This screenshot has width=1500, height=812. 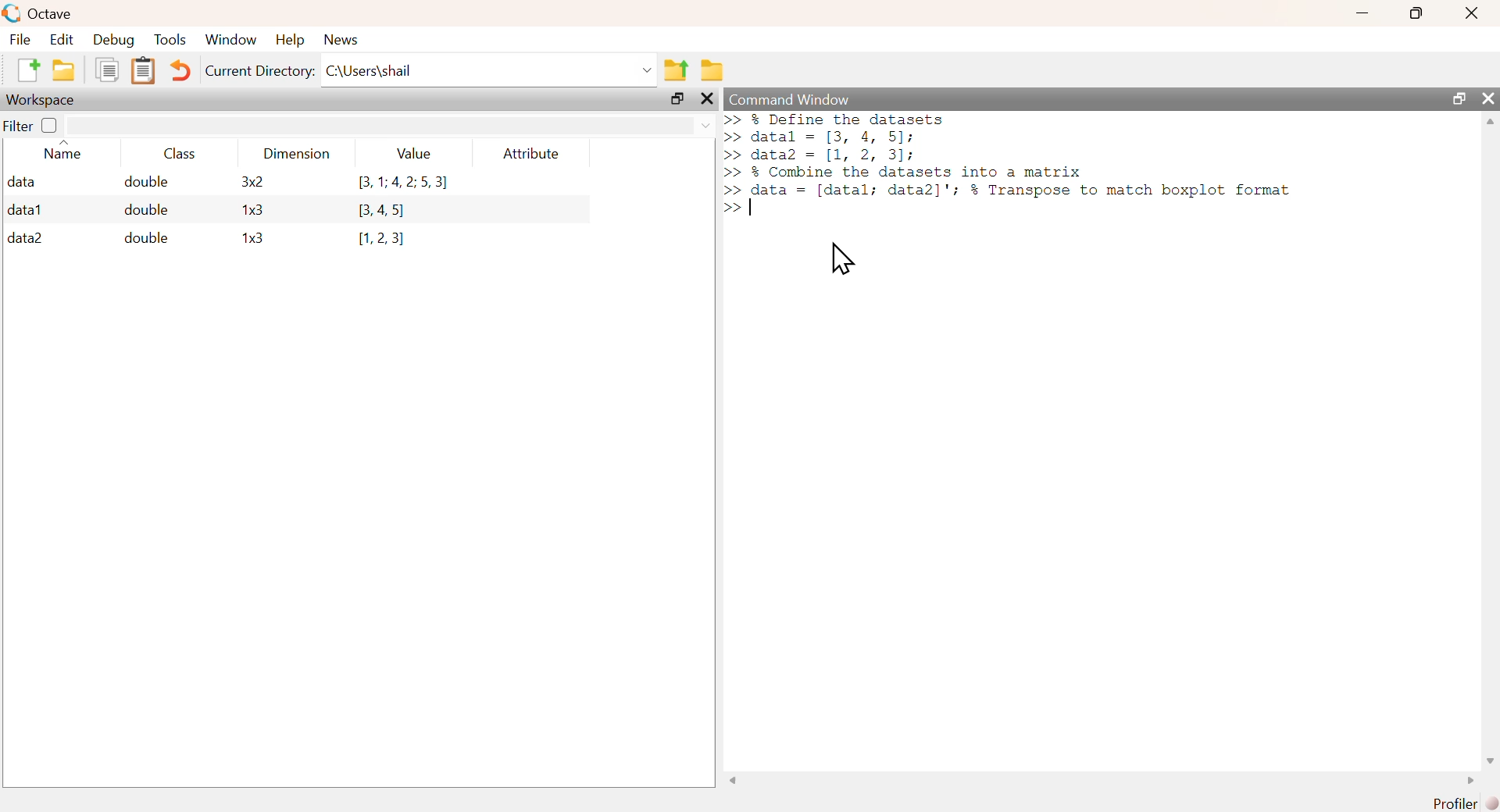 What do you see at coordinates (736, 782) in the screenshot?
I see `scroll left` at bounding box center [736, 782].